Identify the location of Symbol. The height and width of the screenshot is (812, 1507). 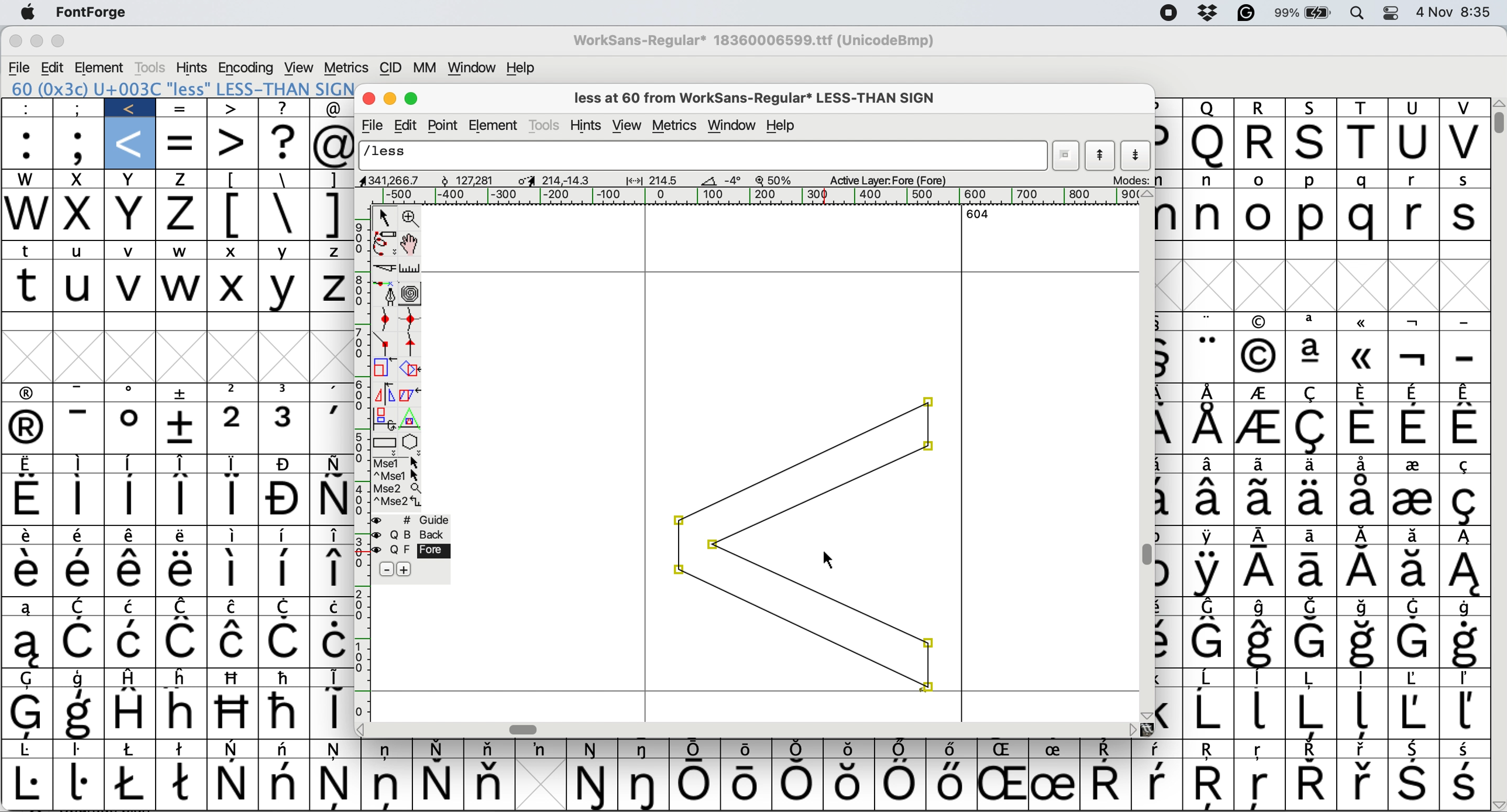
(288, 607).